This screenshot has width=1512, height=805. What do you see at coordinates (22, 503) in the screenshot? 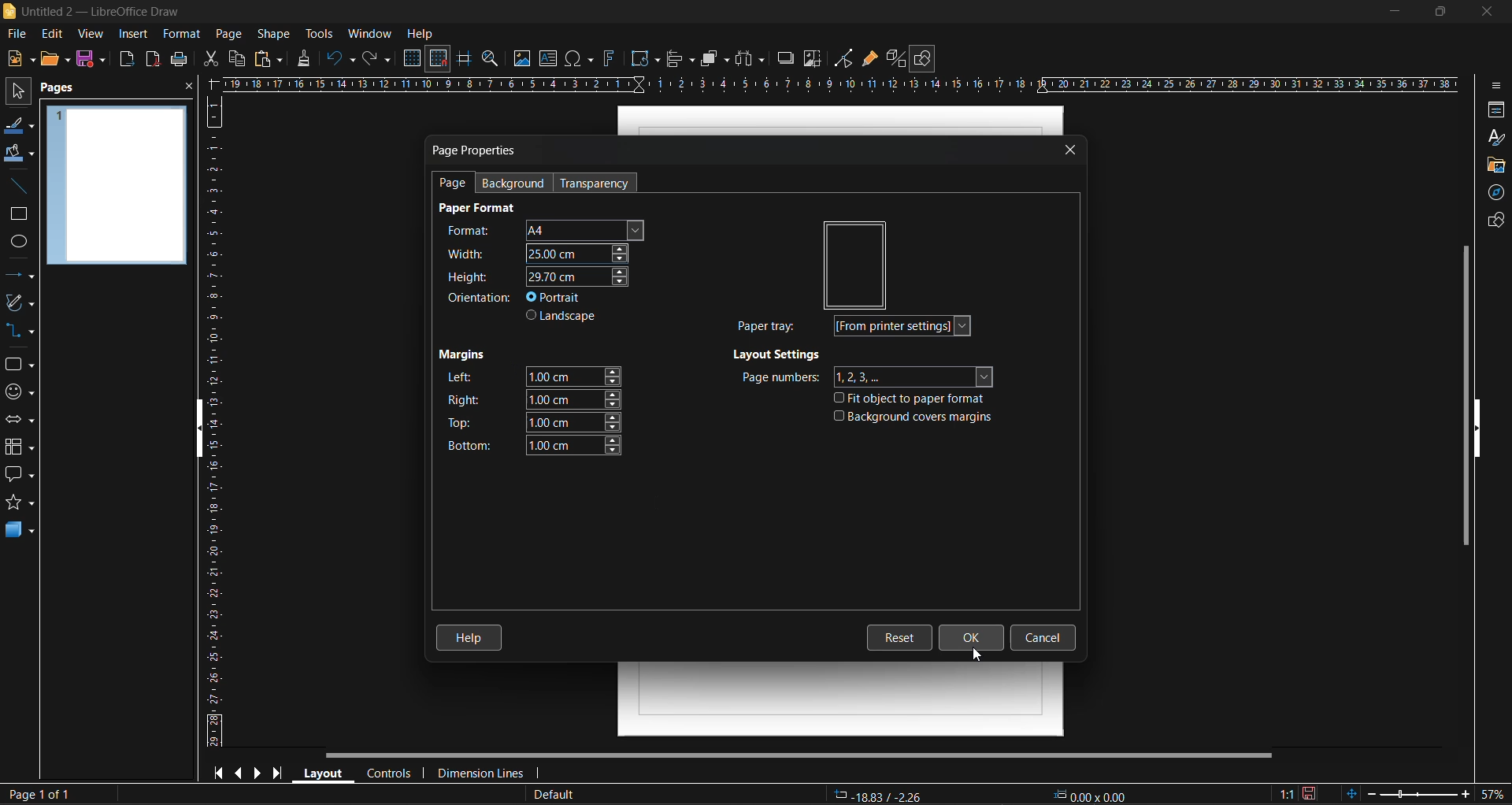
I see `stars and banners` at bounding box center [22, 503].